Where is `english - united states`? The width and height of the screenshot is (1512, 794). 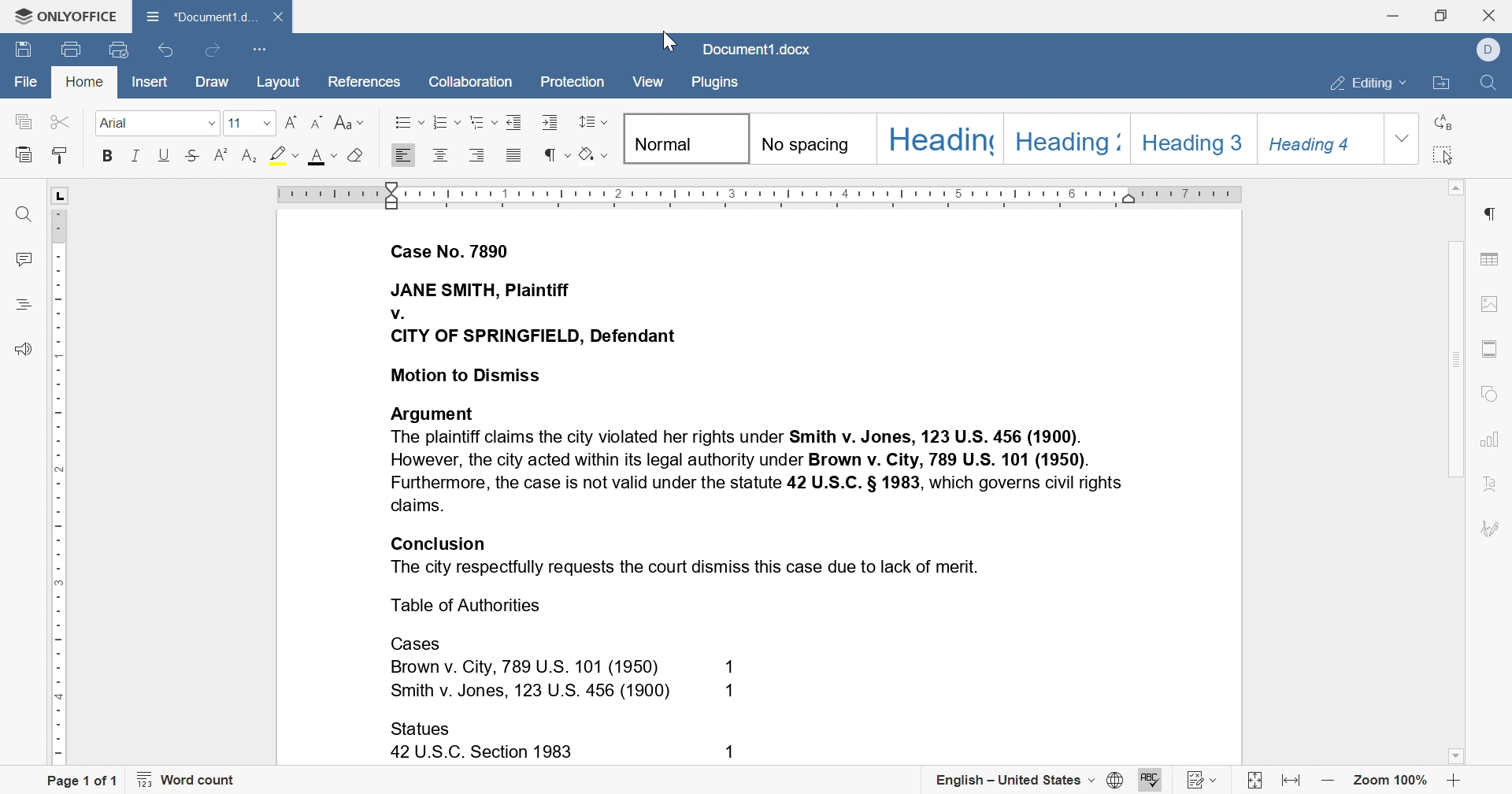
english - united states is located at coordinates (1028, 781).